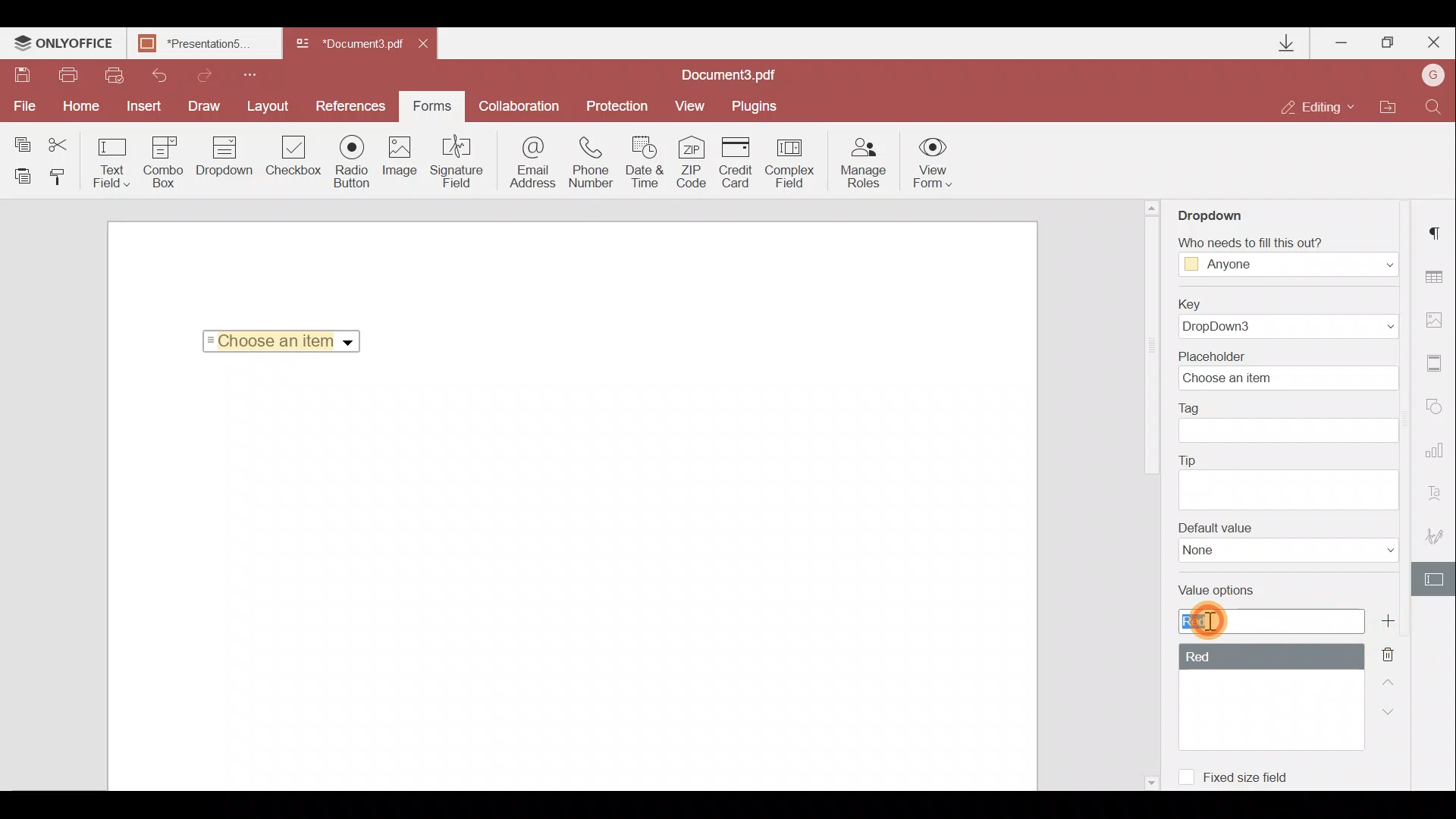 The image size is (1456, 819). What do you see at coordinates (147, 106) in the screenshot?
I see `Insert` at bounding box center [147, 106].